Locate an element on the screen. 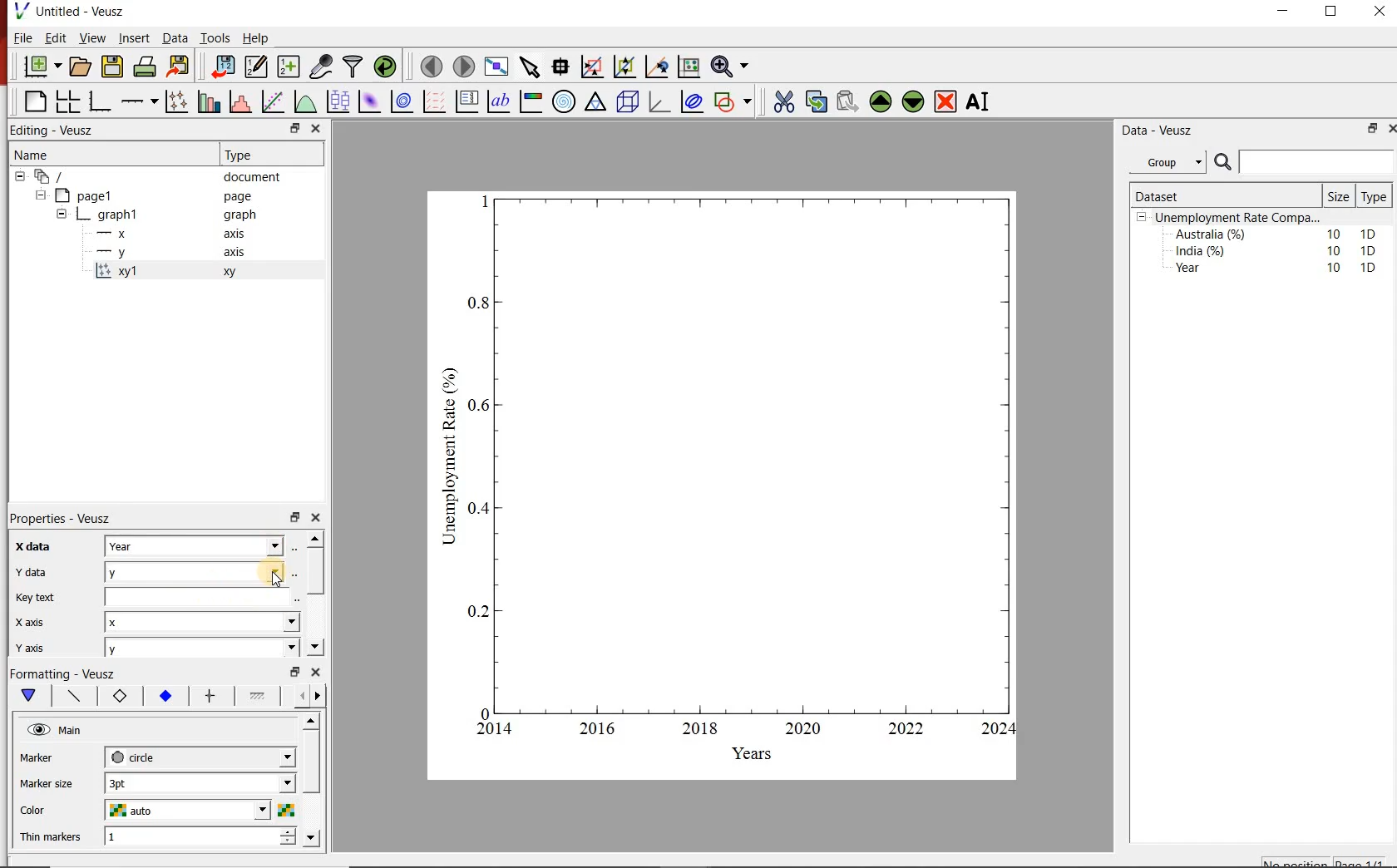 The width and height of the screenshot is (1397, 868). Year is located at coordinates (197, 545).